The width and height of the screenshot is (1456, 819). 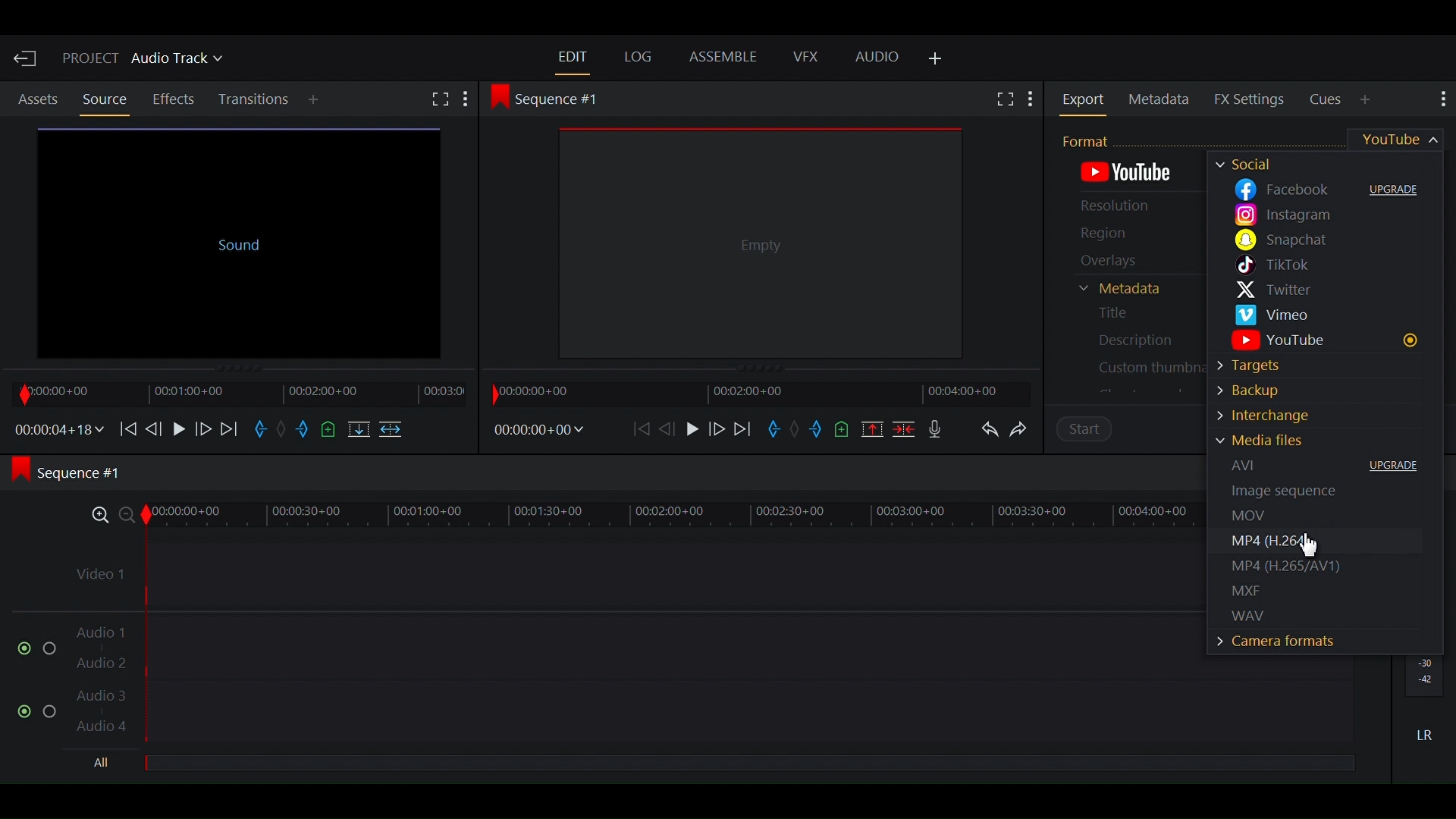 I want to click on Upgrade, so click(x=1390, y=187).